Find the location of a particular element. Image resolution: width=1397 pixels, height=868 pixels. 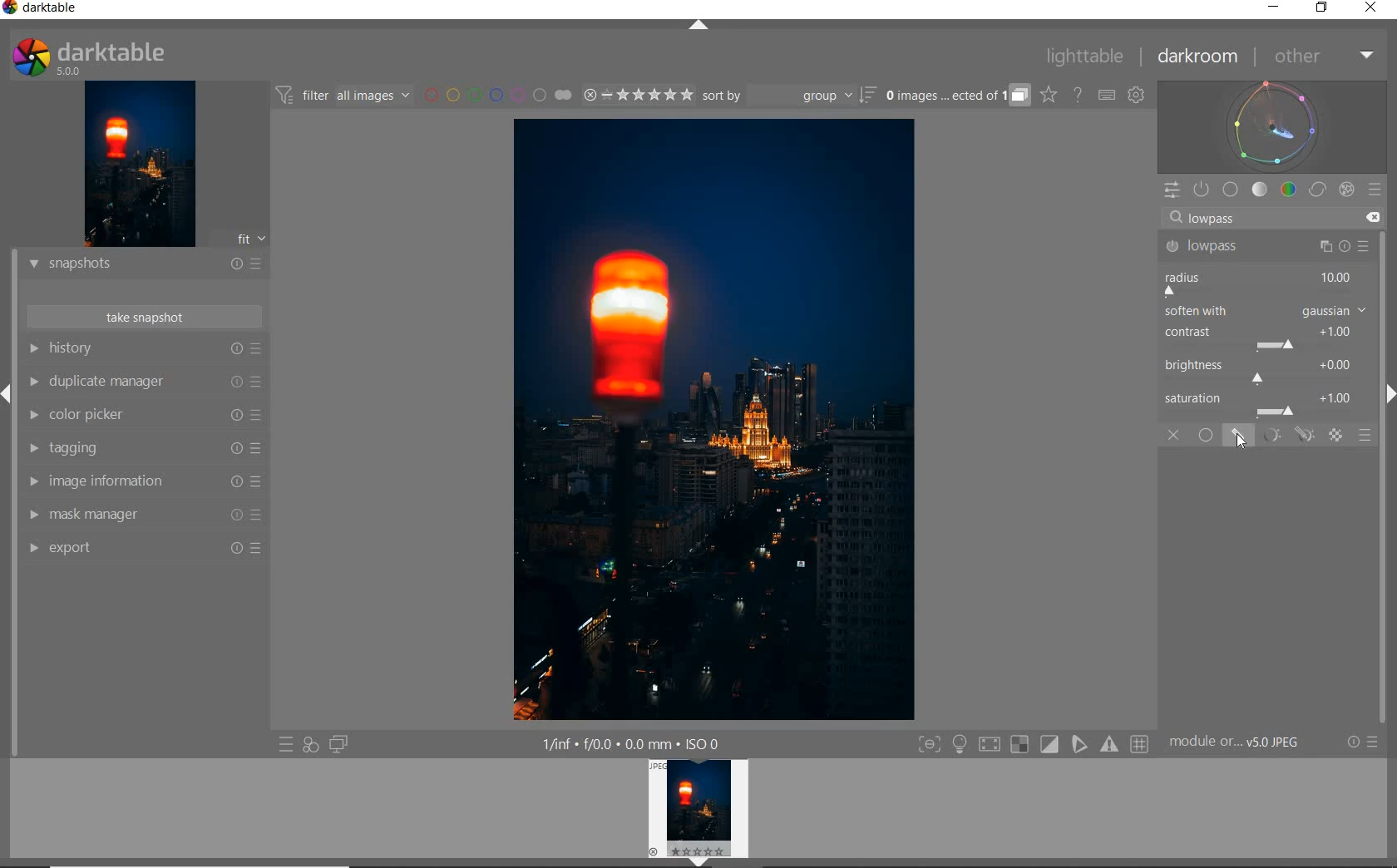

HELP ONLINE is located at coordinates (1077, 94).